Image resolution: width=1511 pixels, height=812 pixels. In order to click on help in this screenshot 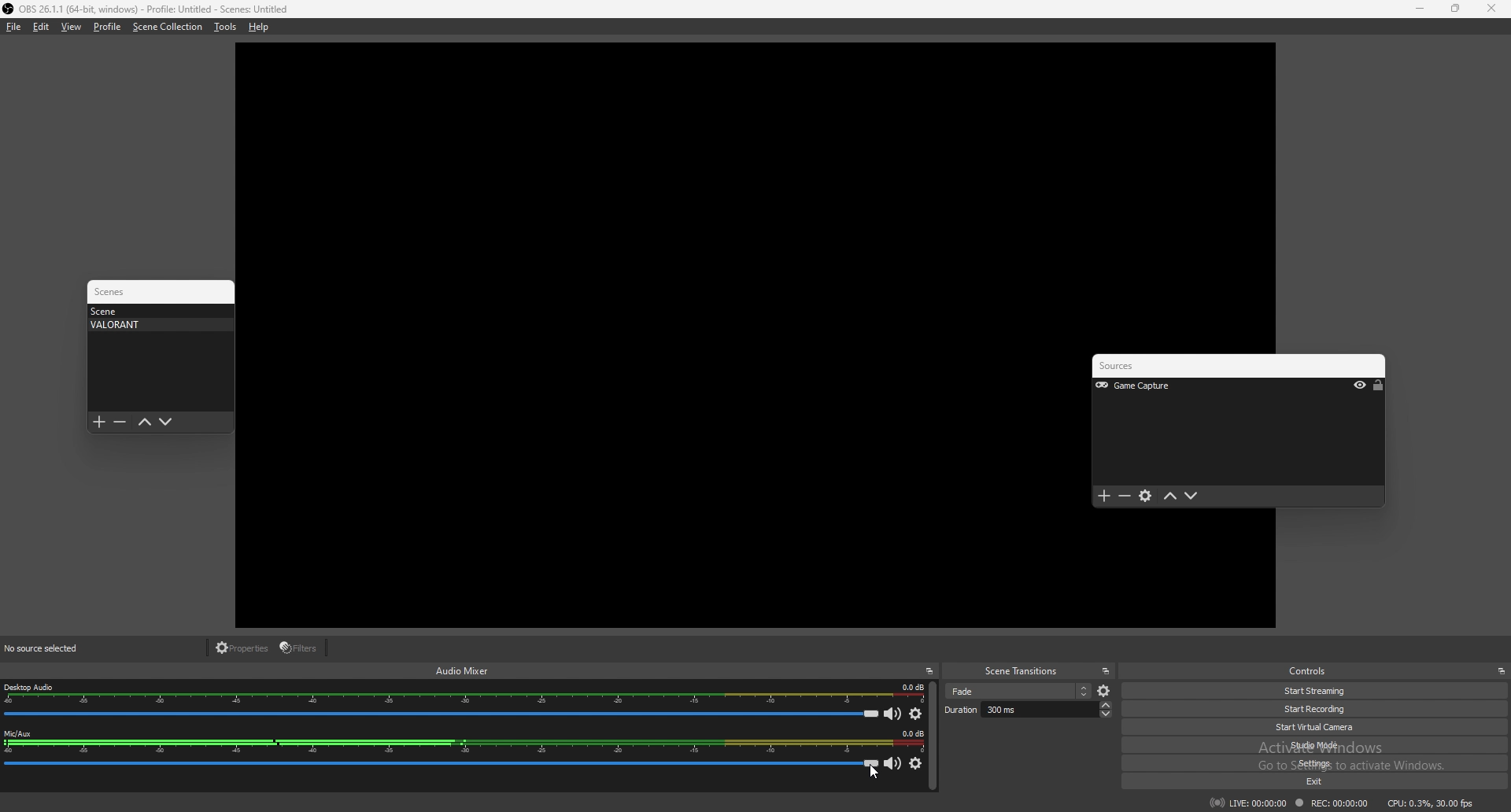, I will do `click(259, 27)`.